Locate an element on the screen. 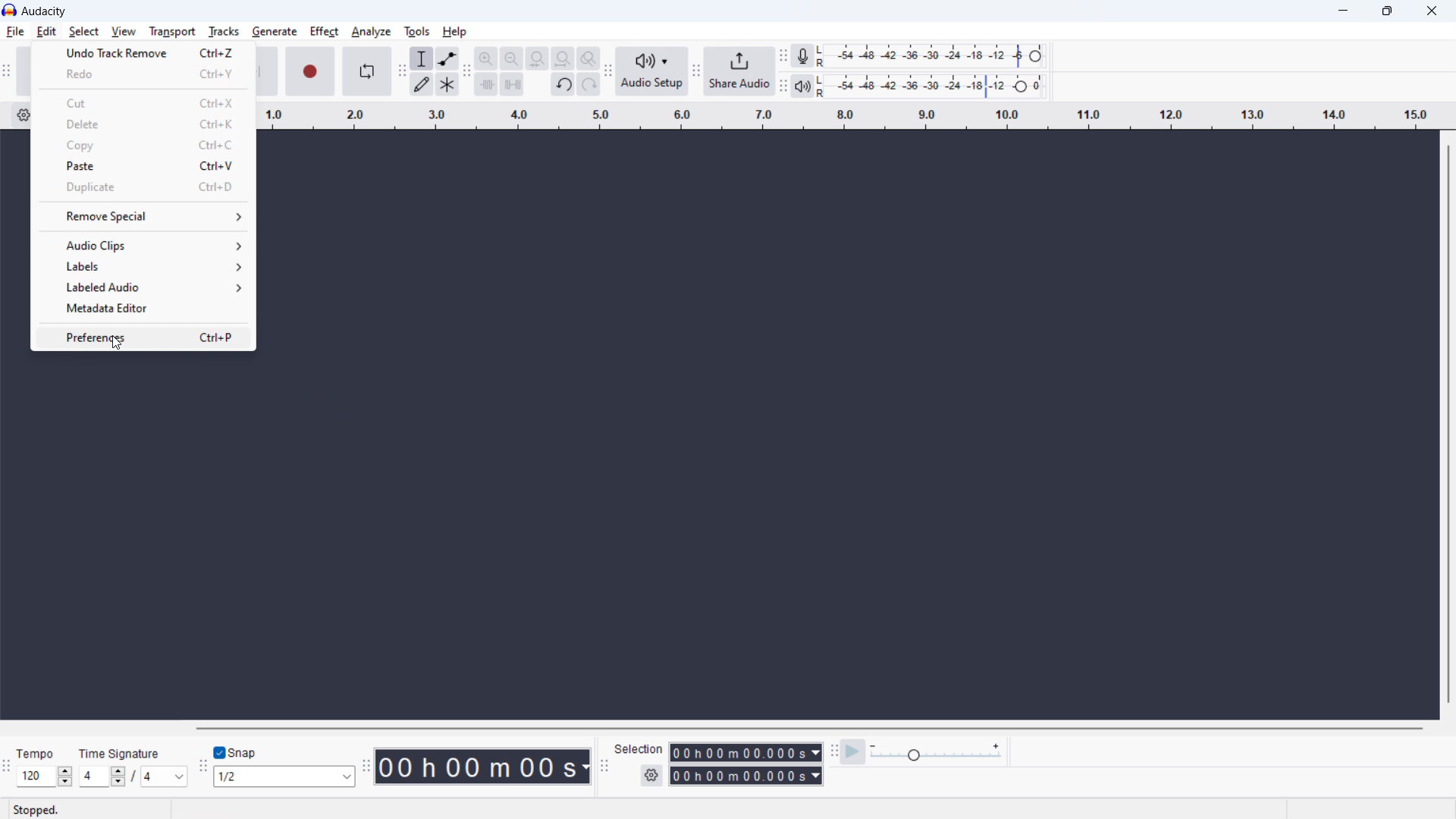 This screenshot has height=819, width=1456. trim audio outside selection is located at coordinates (486, 84).